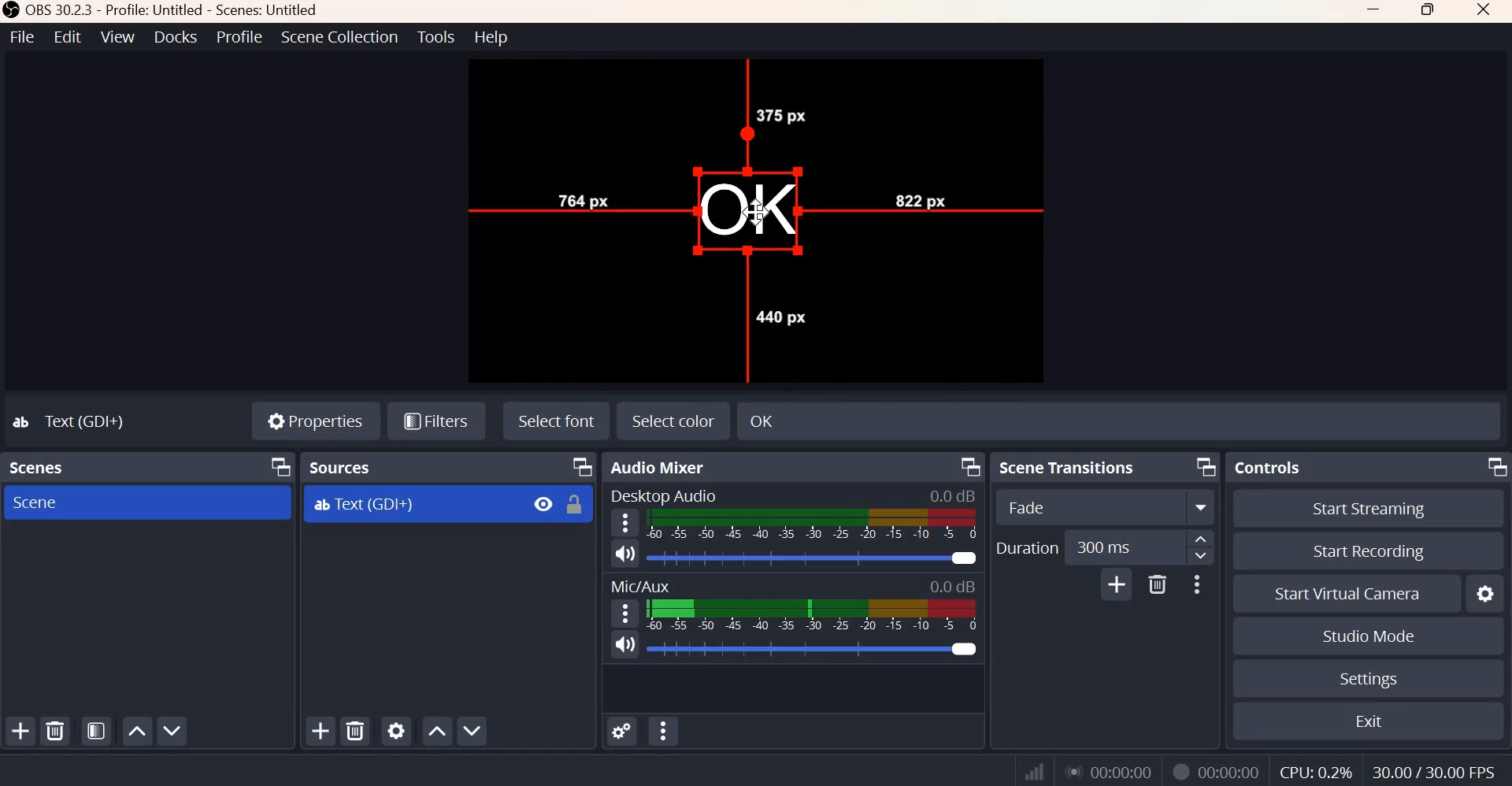 This screenshot has width=1512, height=786. Describe the element at coordinates (1350, 592) in the screenshot. I see `Start virtual camera` at that location.